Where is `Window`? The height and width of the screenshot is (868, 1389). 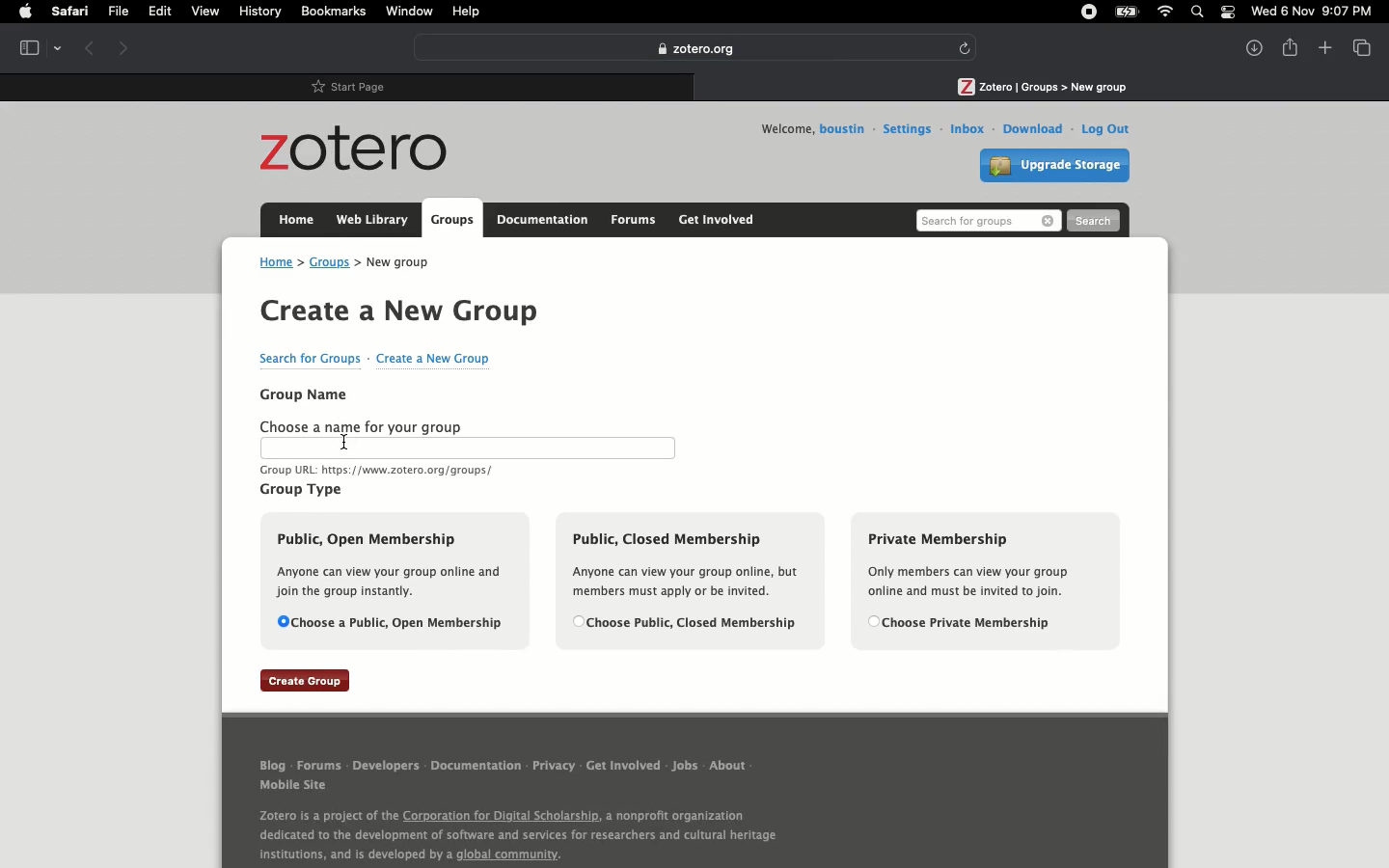
Window is located at coordinates (409, 11).